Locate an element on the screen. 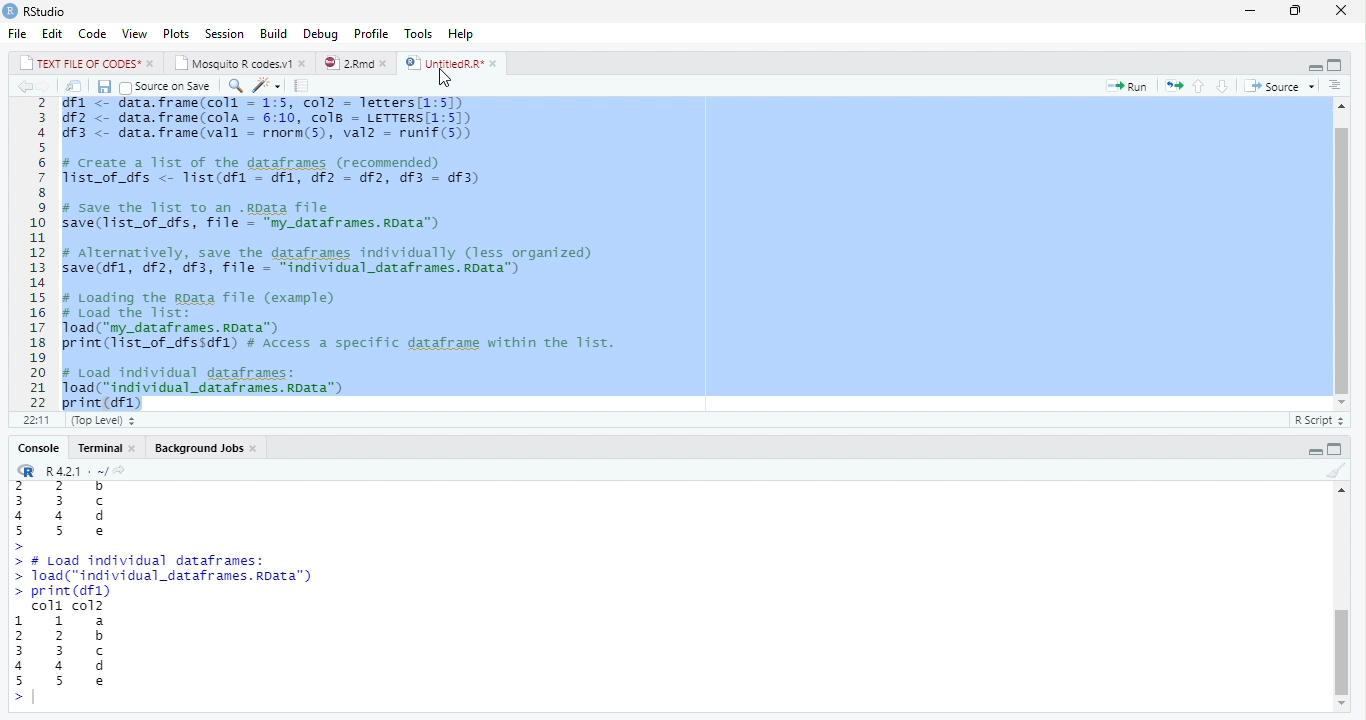 The height and width of the screenshot is (720, 1366). Go to next location is located at coordinates (45, 87).